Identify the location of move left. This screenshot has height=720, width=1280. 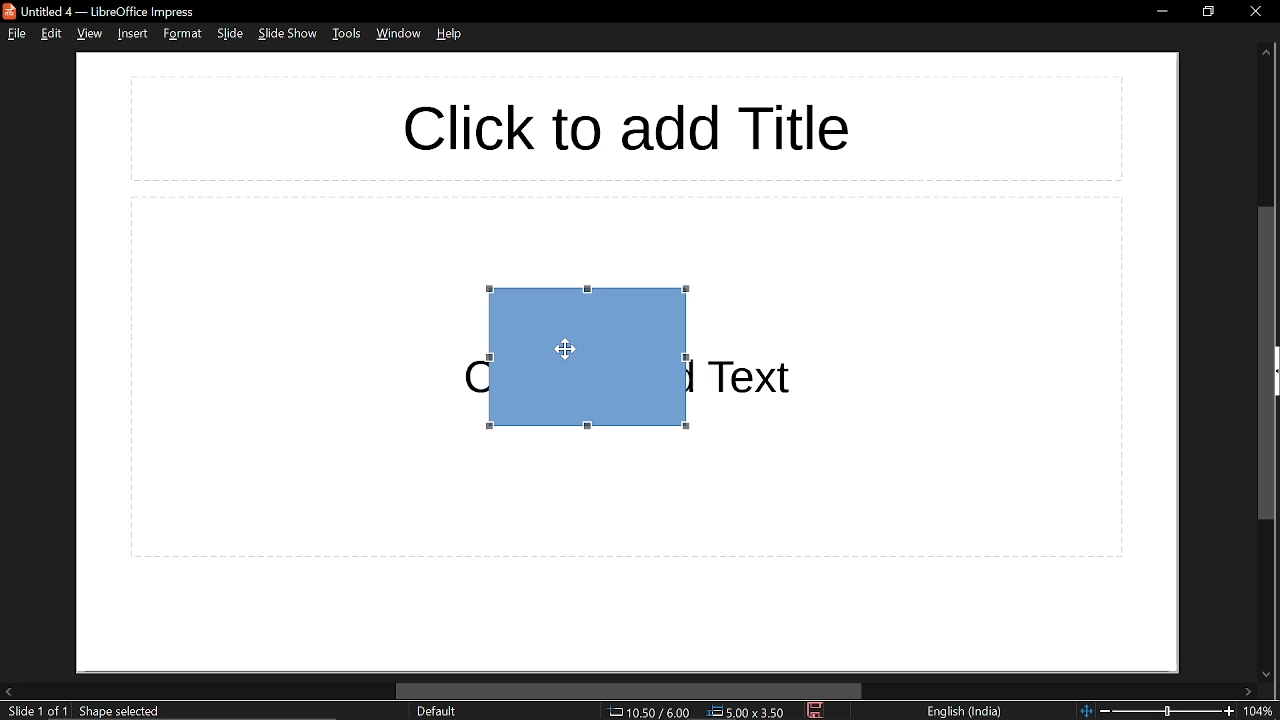
(8, 690).